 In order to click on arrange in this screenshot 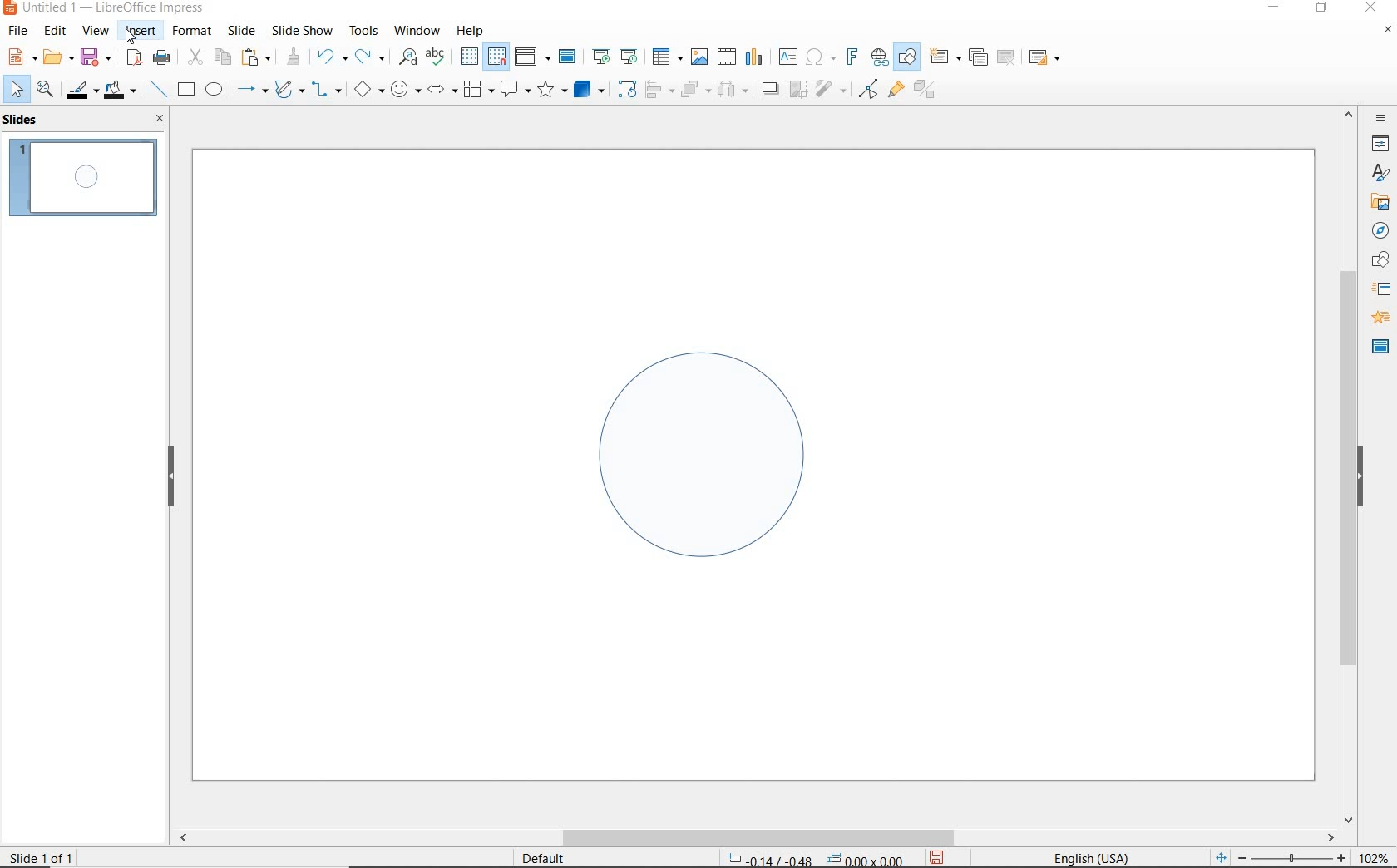, I will do `click(692, 88)`.